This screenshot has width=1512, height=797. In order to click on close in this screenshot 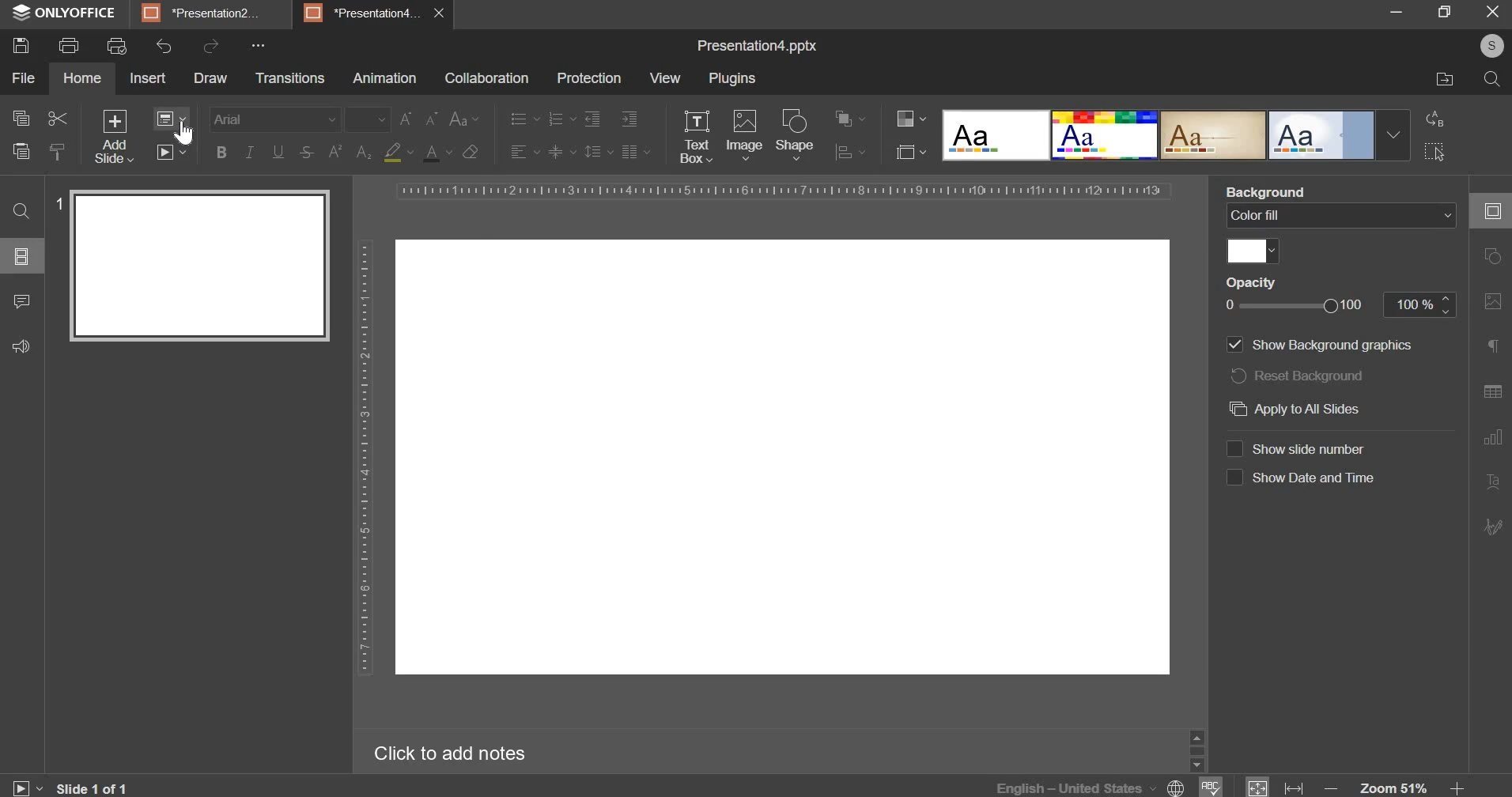, I will do `click(1492, 11)`.